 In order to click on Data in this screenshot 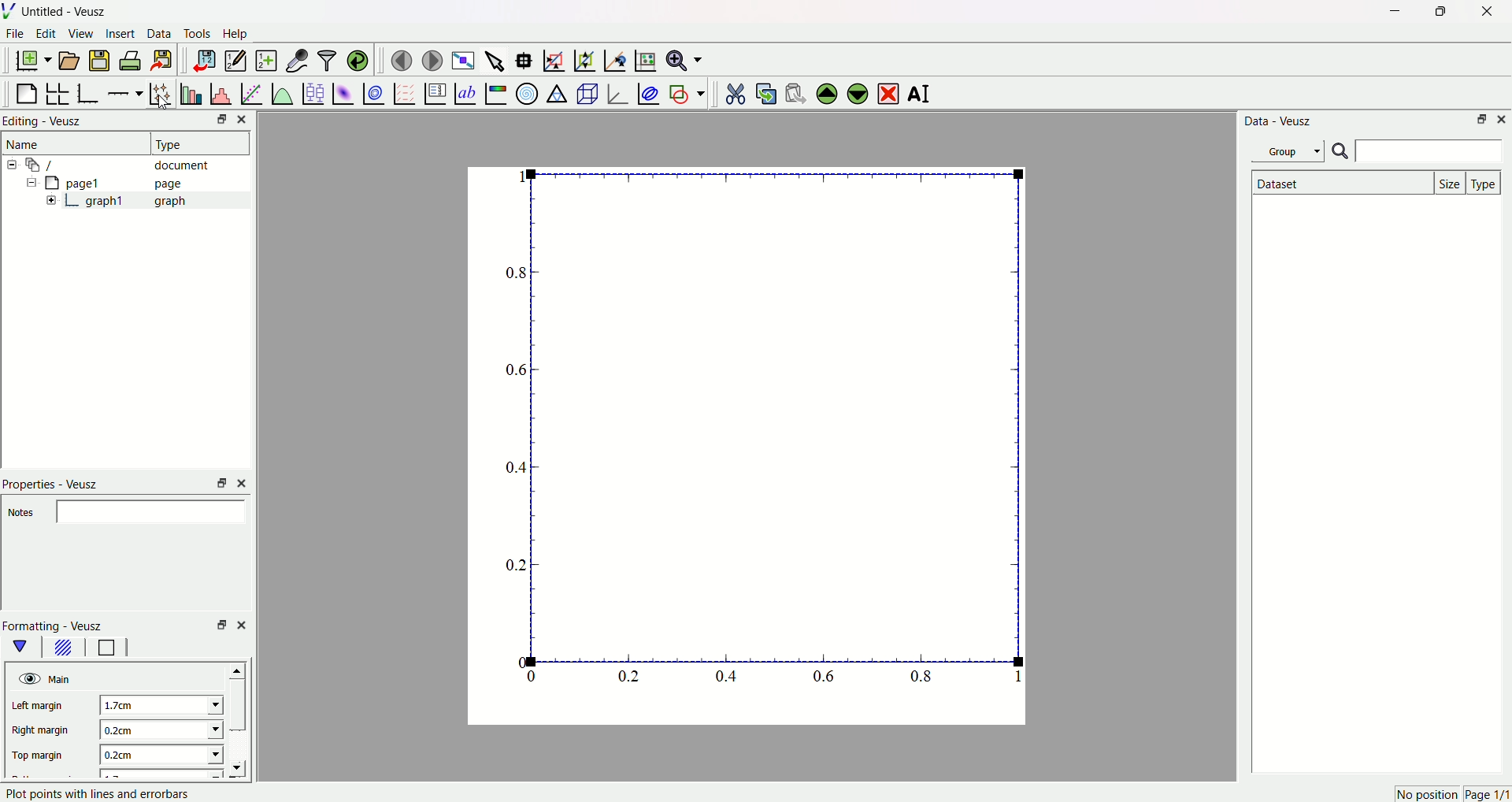, I will do `click(160, 35)`.